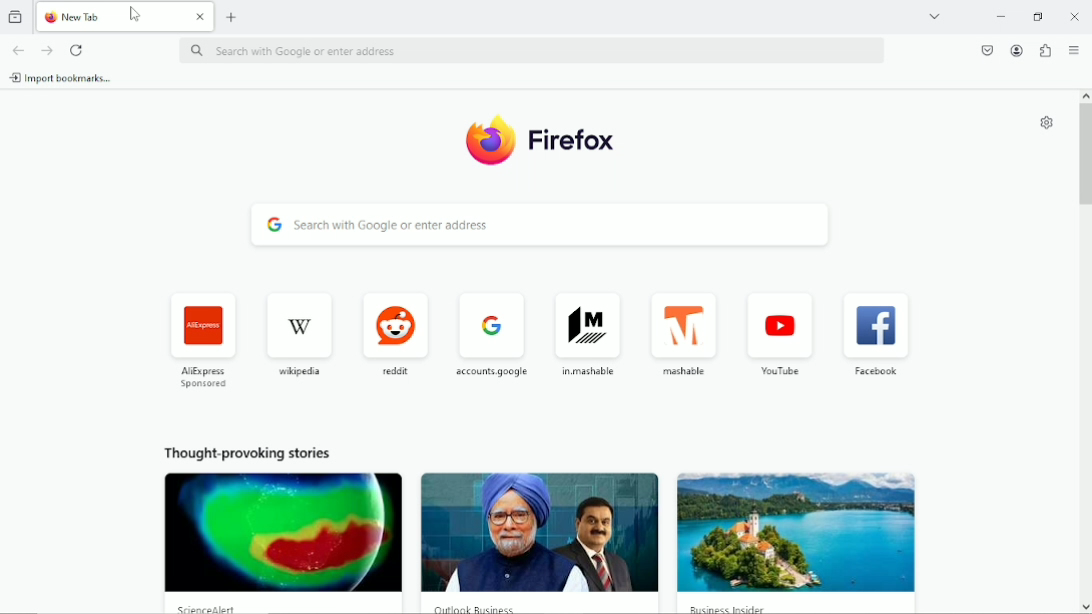 The width and height of the screenshot is (1092, 614). I want to click on Restore down, so click(1035, 17).